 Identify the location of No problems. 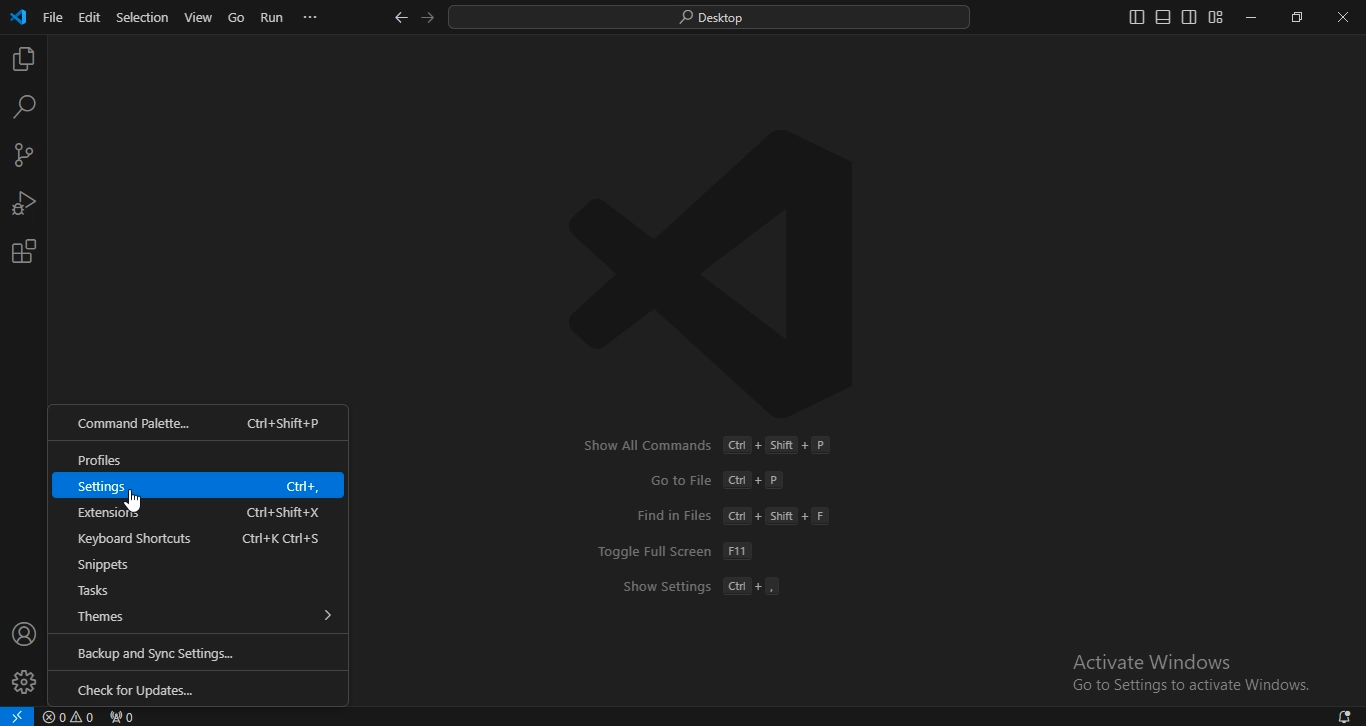
(72, 716).